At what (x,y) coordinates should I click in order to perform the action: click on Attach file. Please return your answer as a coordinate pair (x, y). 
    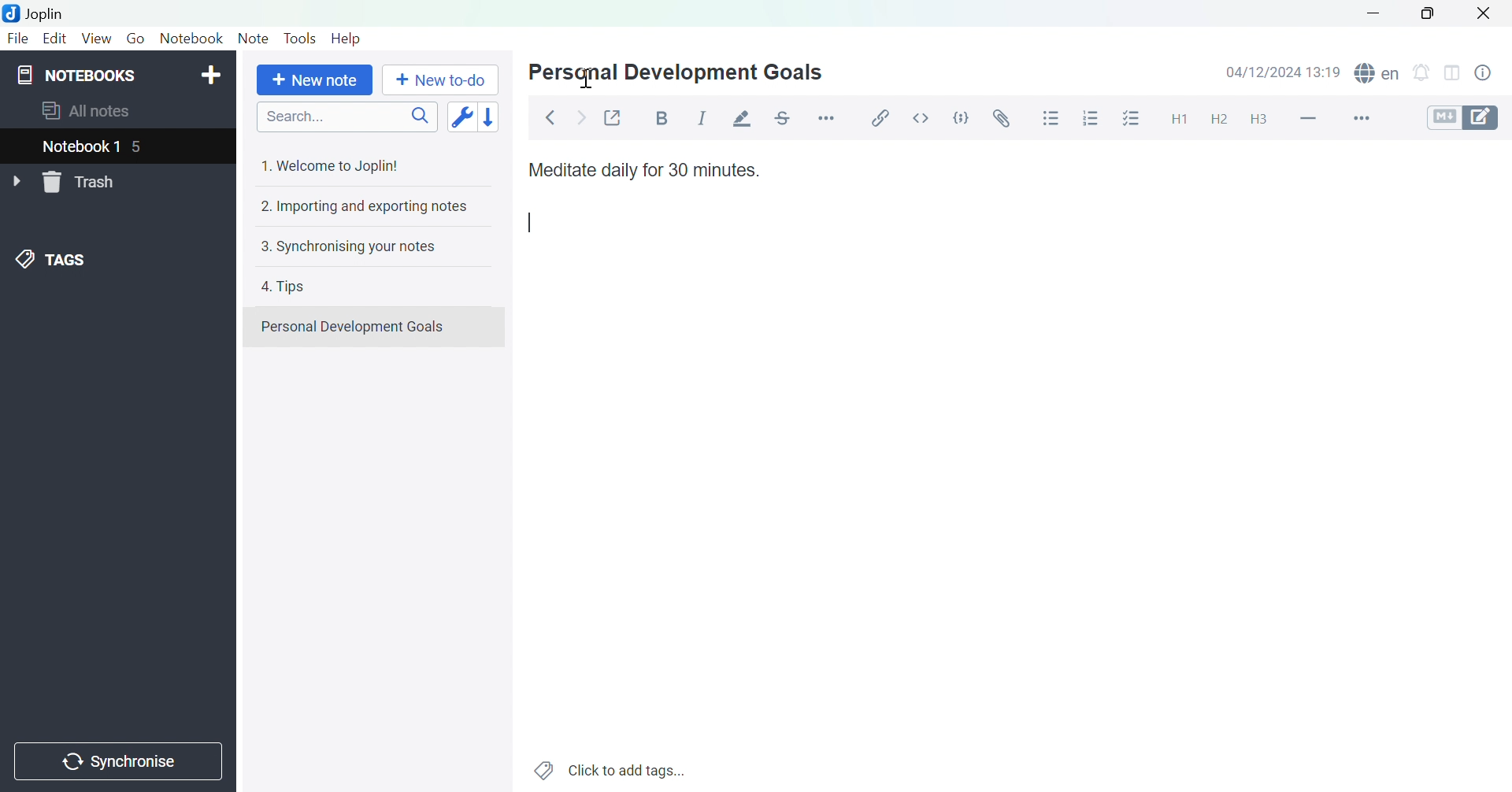
    Looking at the image, I should click on (999, 119).